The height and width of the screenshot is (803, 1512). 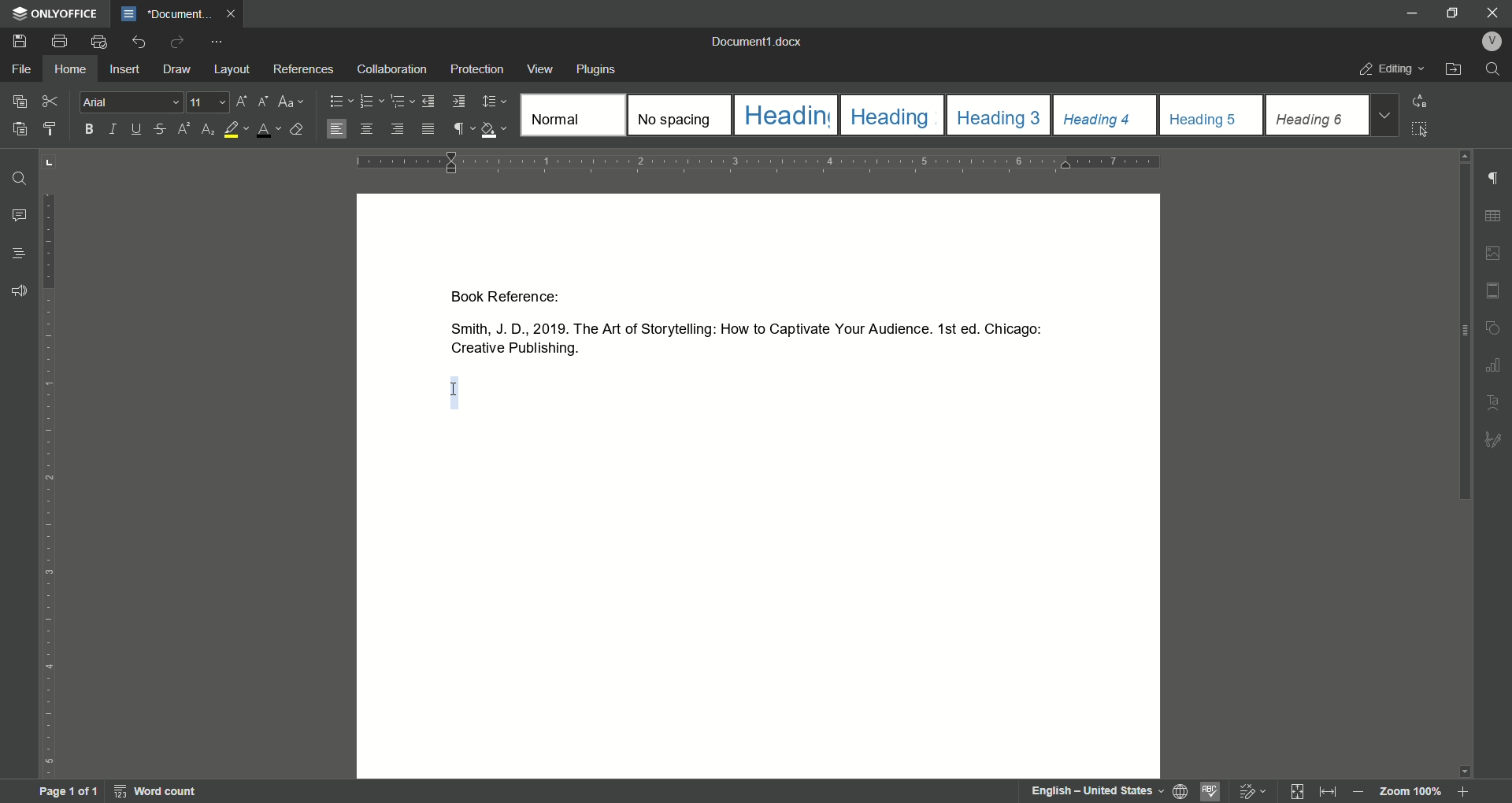 What do you see at coordinates (395, 69) in the screenshot?
I see `collaboration` at bounding box center [395, 69].